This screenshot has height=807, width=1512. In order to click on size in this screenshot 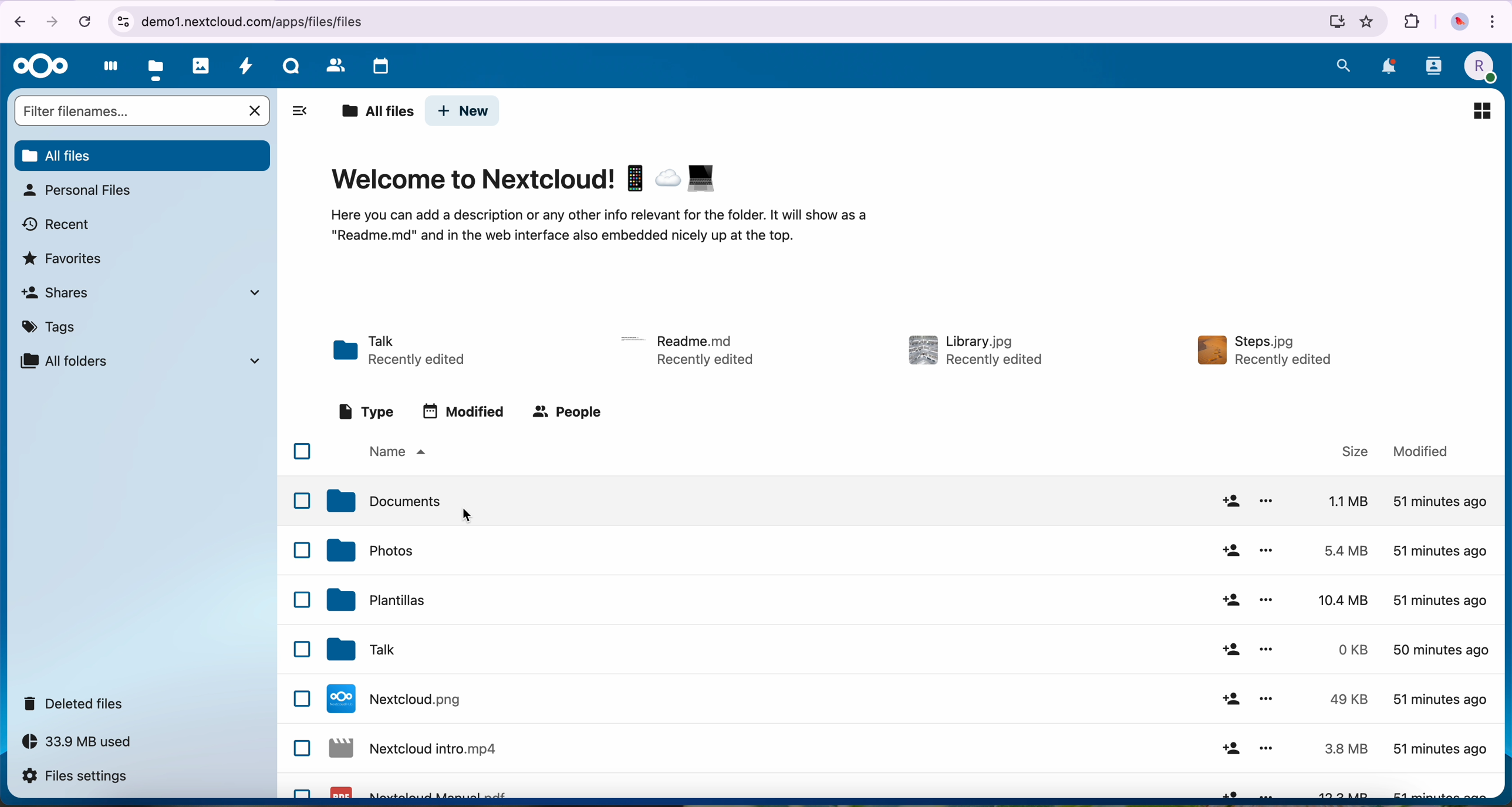, I will do `click(1344, 749)`.